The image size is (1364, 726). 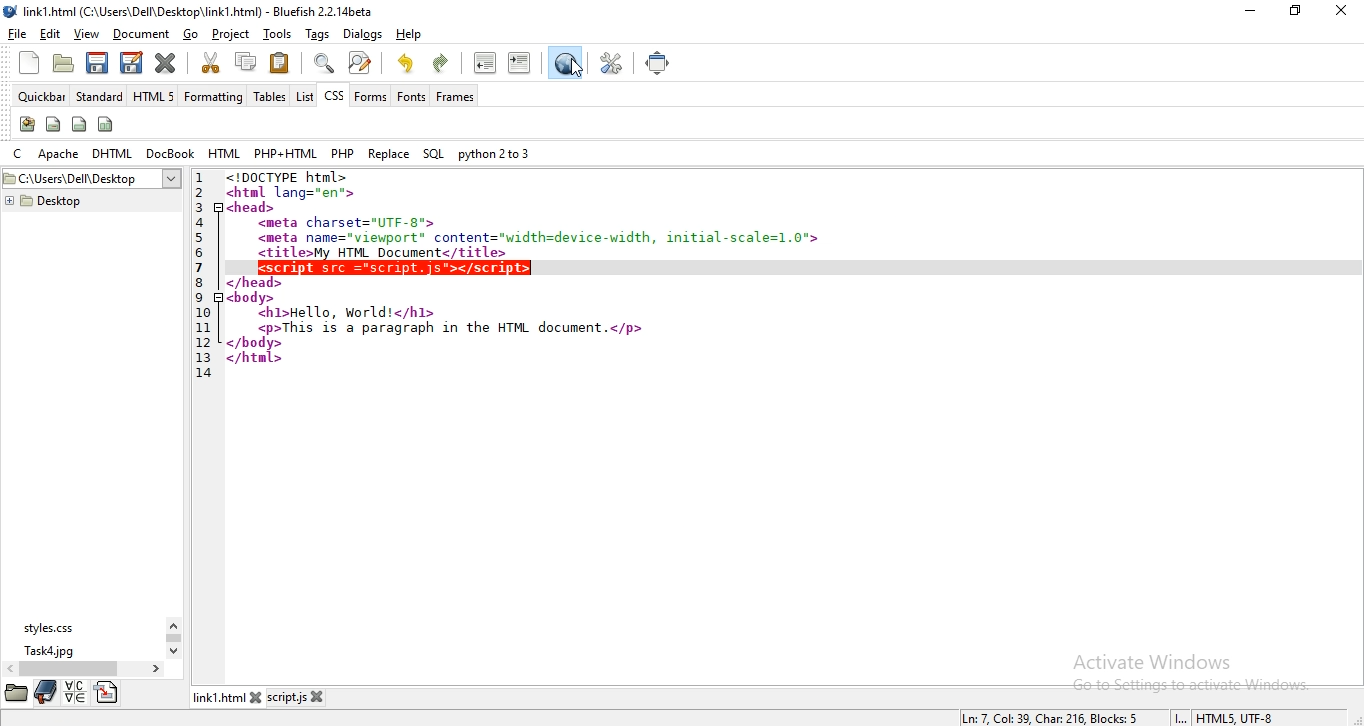 What do you see at coordinates (222, 697) in the screenshot?
I see `link1` at bounding box center [222, 697].